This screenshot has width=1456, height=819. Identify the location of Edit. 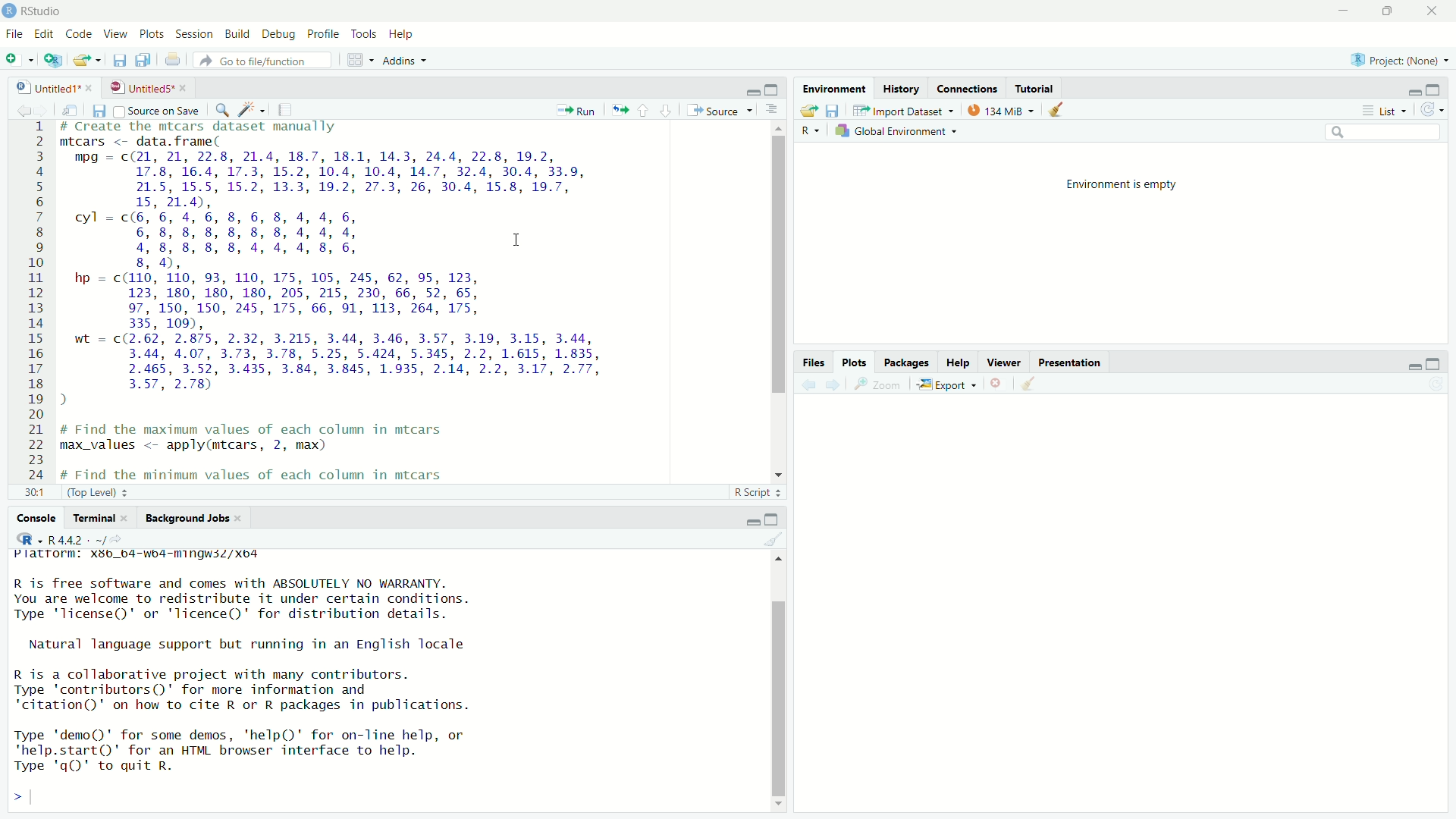
(45, 33).